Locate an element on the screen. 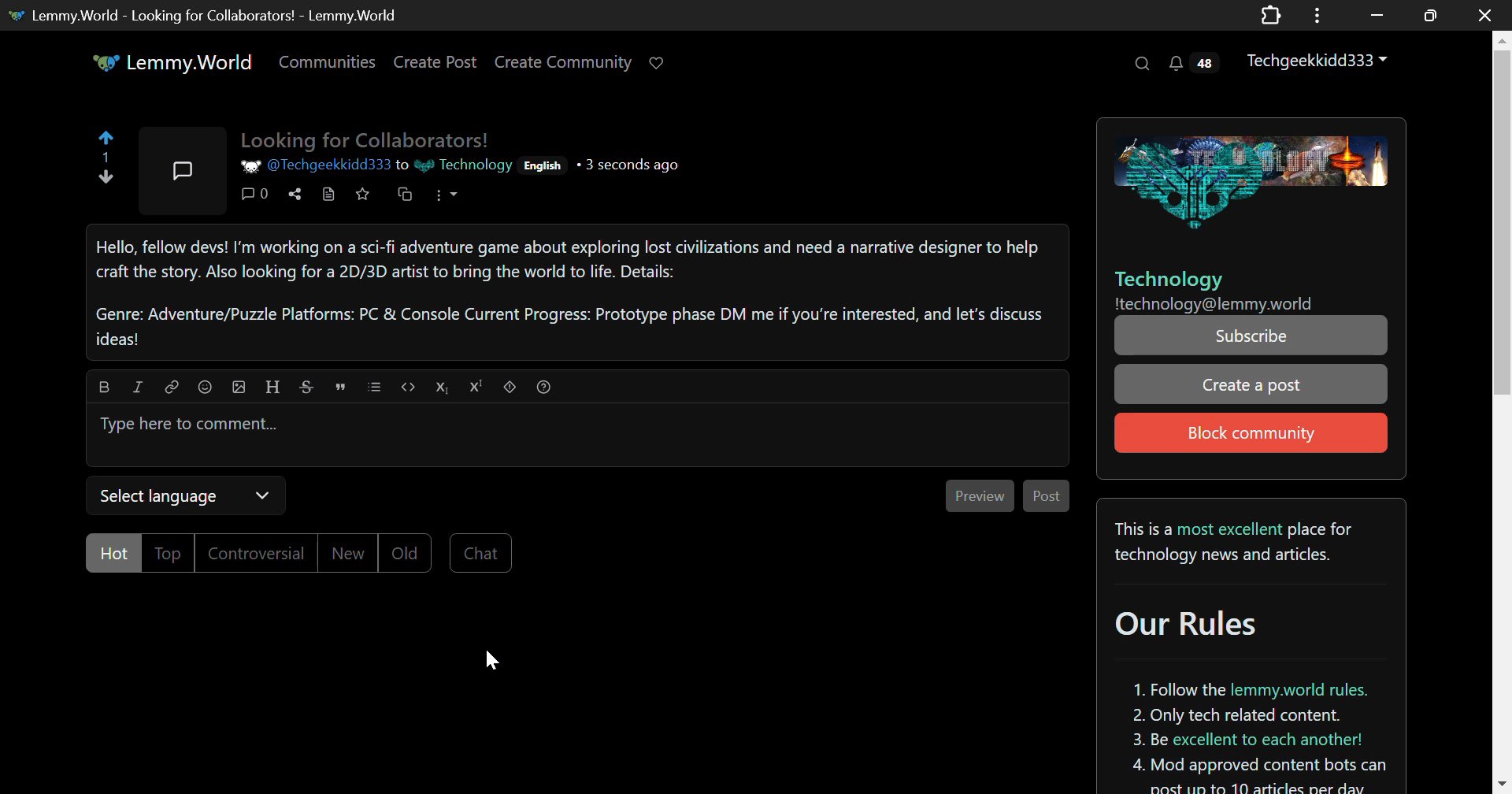  Type here to comment... is located at coordinates (570, 439).